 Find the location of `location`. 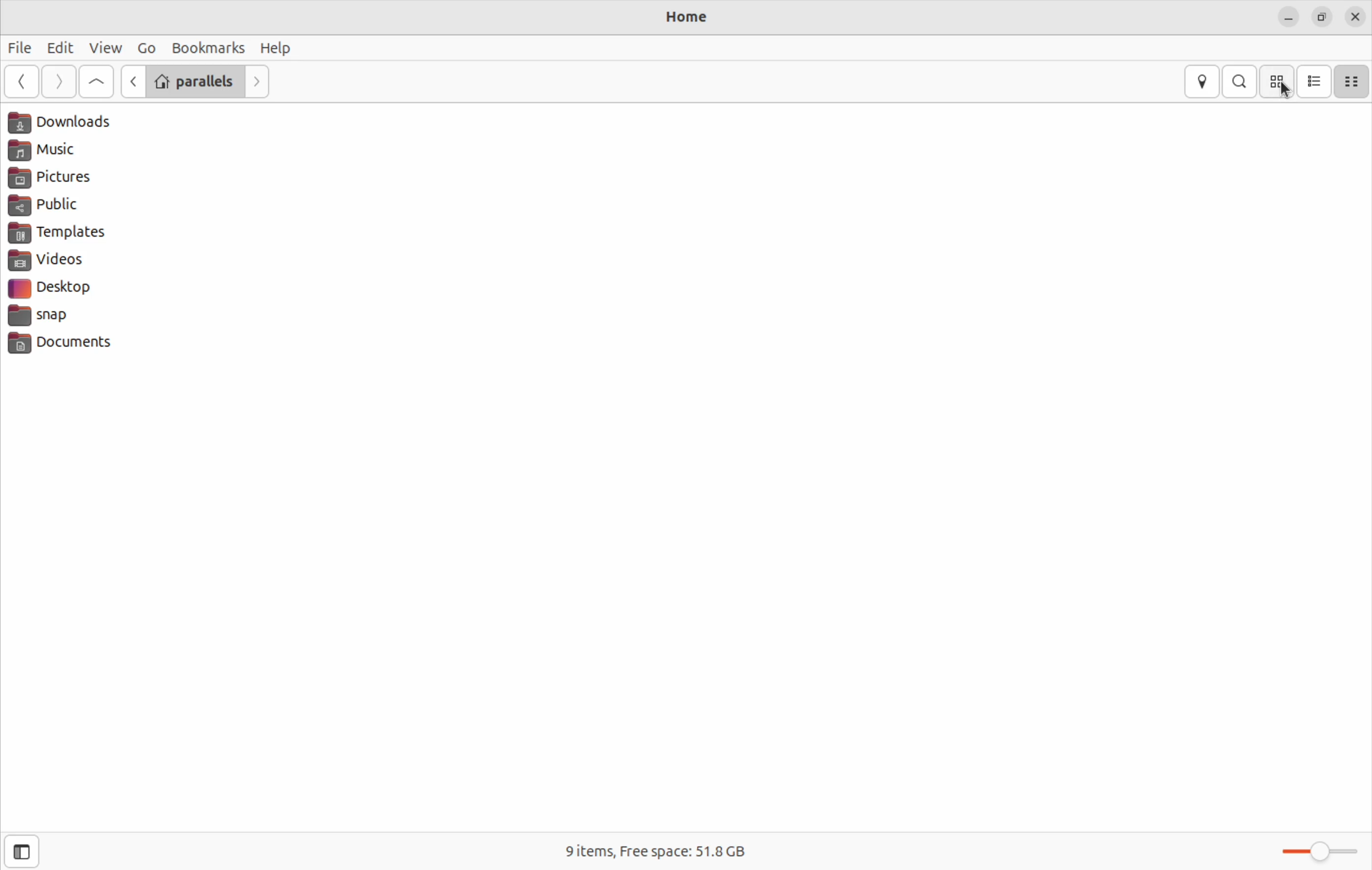

location is located at coordinates (1203, 82).